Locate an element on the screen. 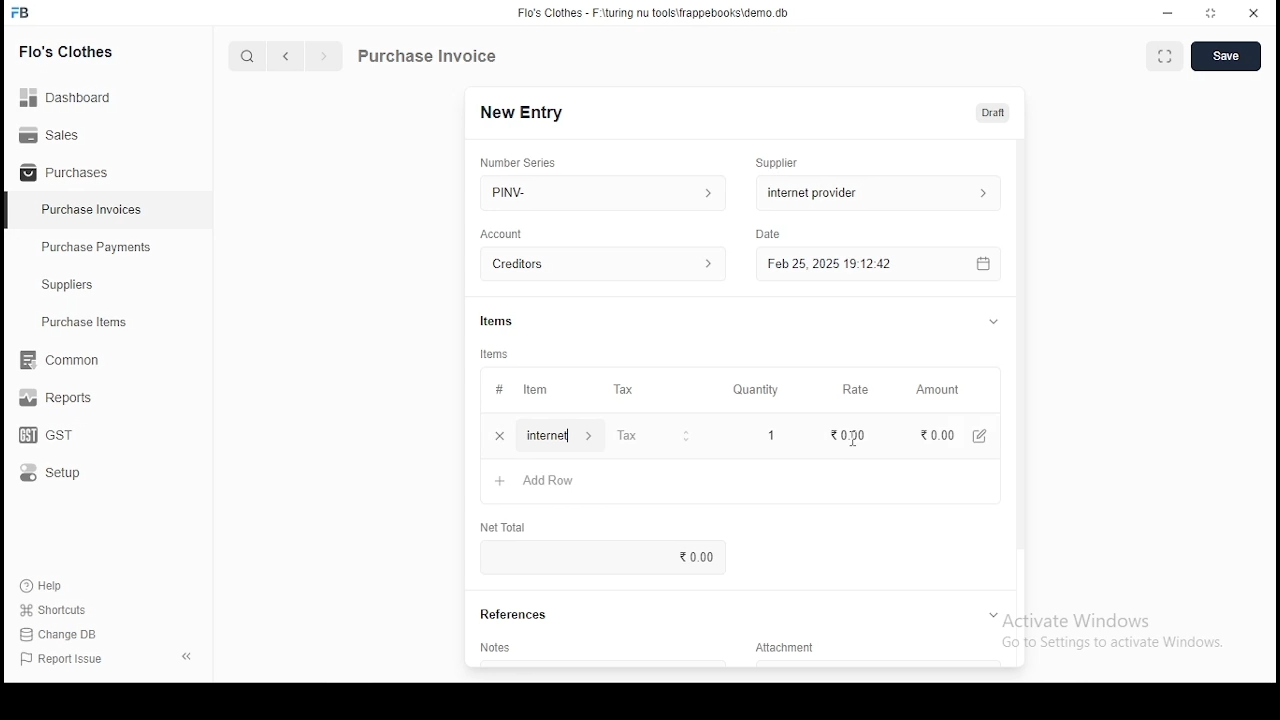 This screenshot has width=1280, height=720. 0.00 is located at coordinates (923, 435).